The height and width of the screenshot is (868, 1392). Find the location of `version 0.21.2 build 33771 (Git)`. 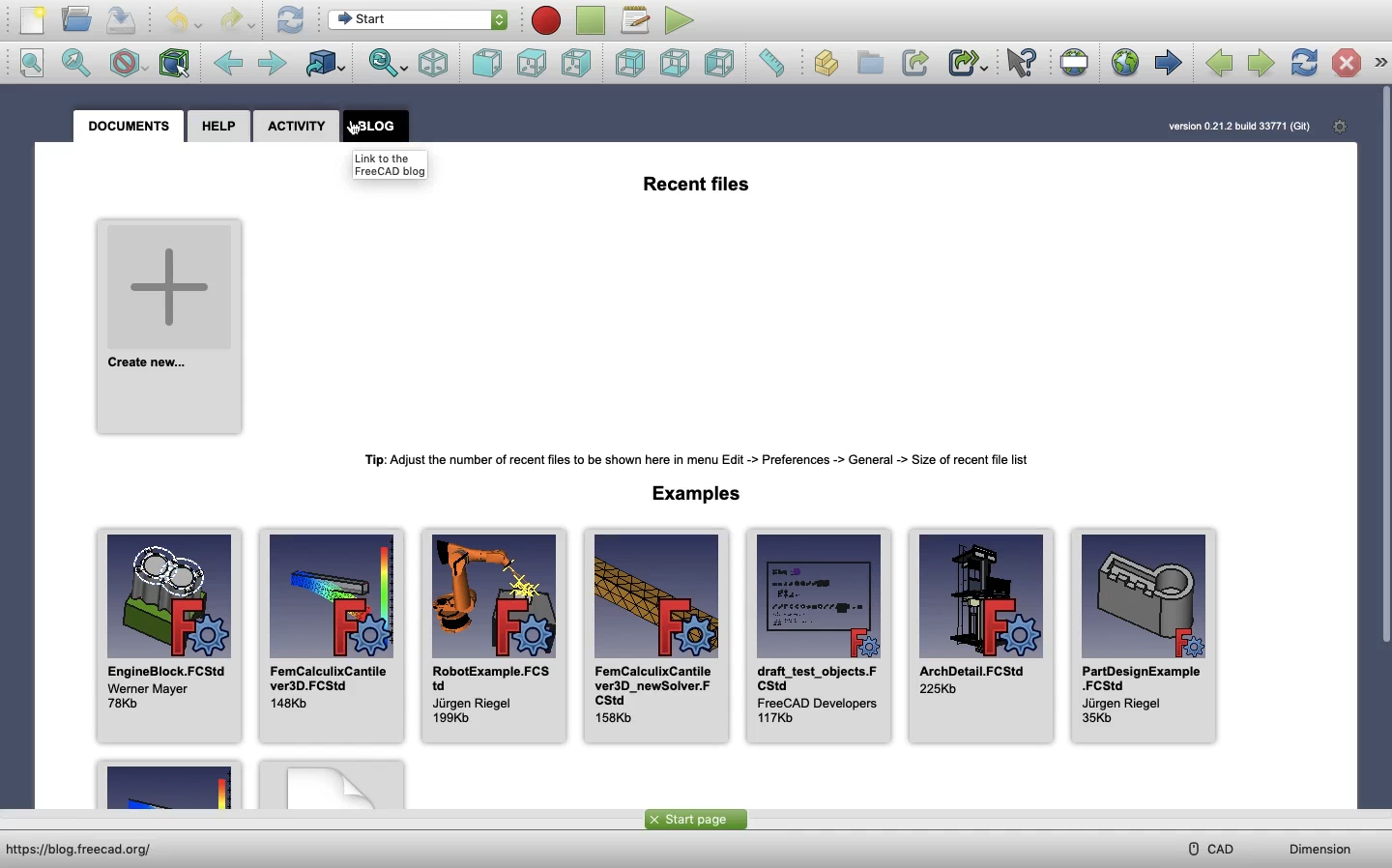

version 0.21.2 build 33771 (Git) is located at coordinates (1235, 132).